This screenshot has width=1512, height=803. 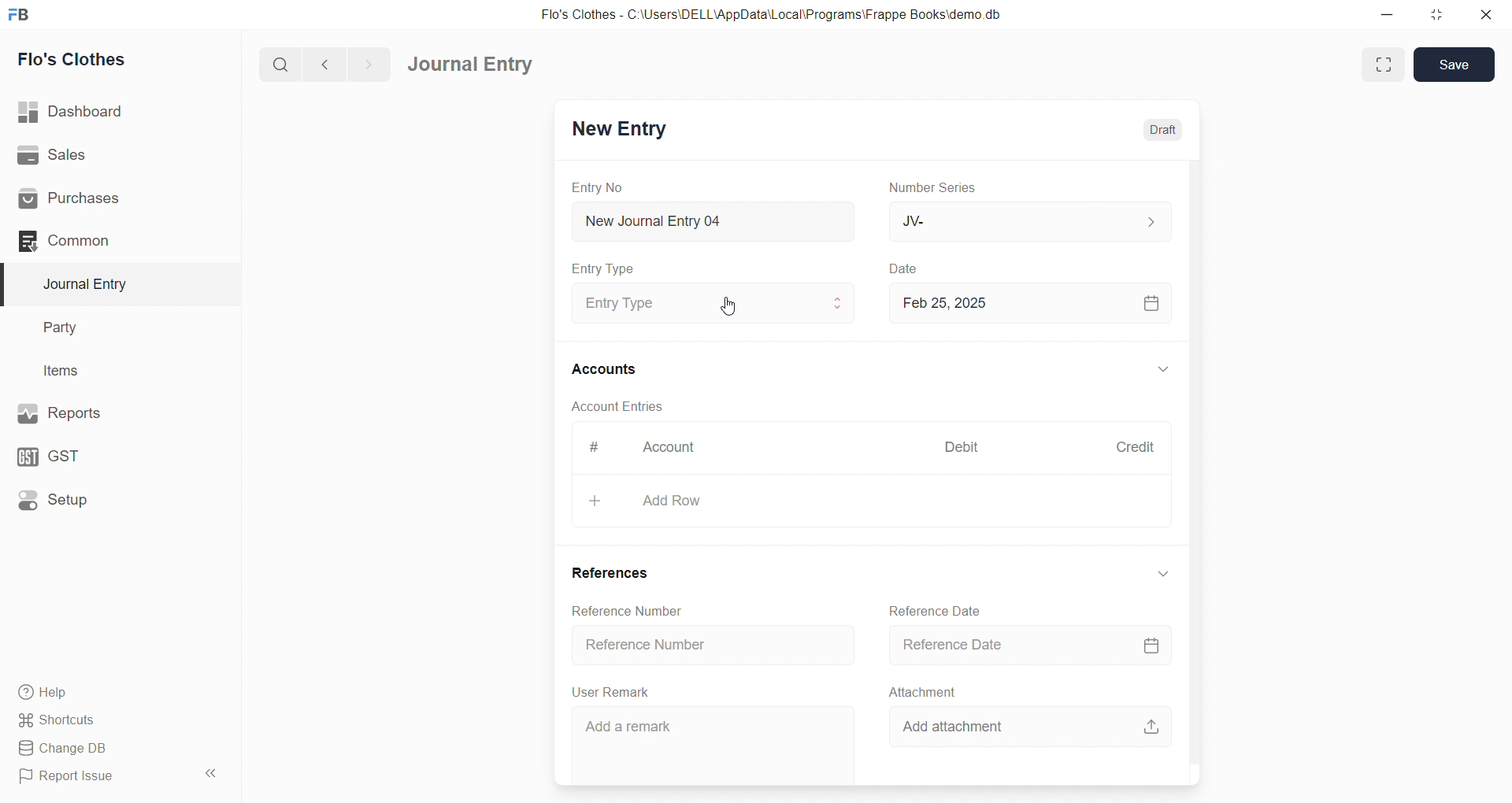 I want to click on Reference Date, so click(x=939, y=609).